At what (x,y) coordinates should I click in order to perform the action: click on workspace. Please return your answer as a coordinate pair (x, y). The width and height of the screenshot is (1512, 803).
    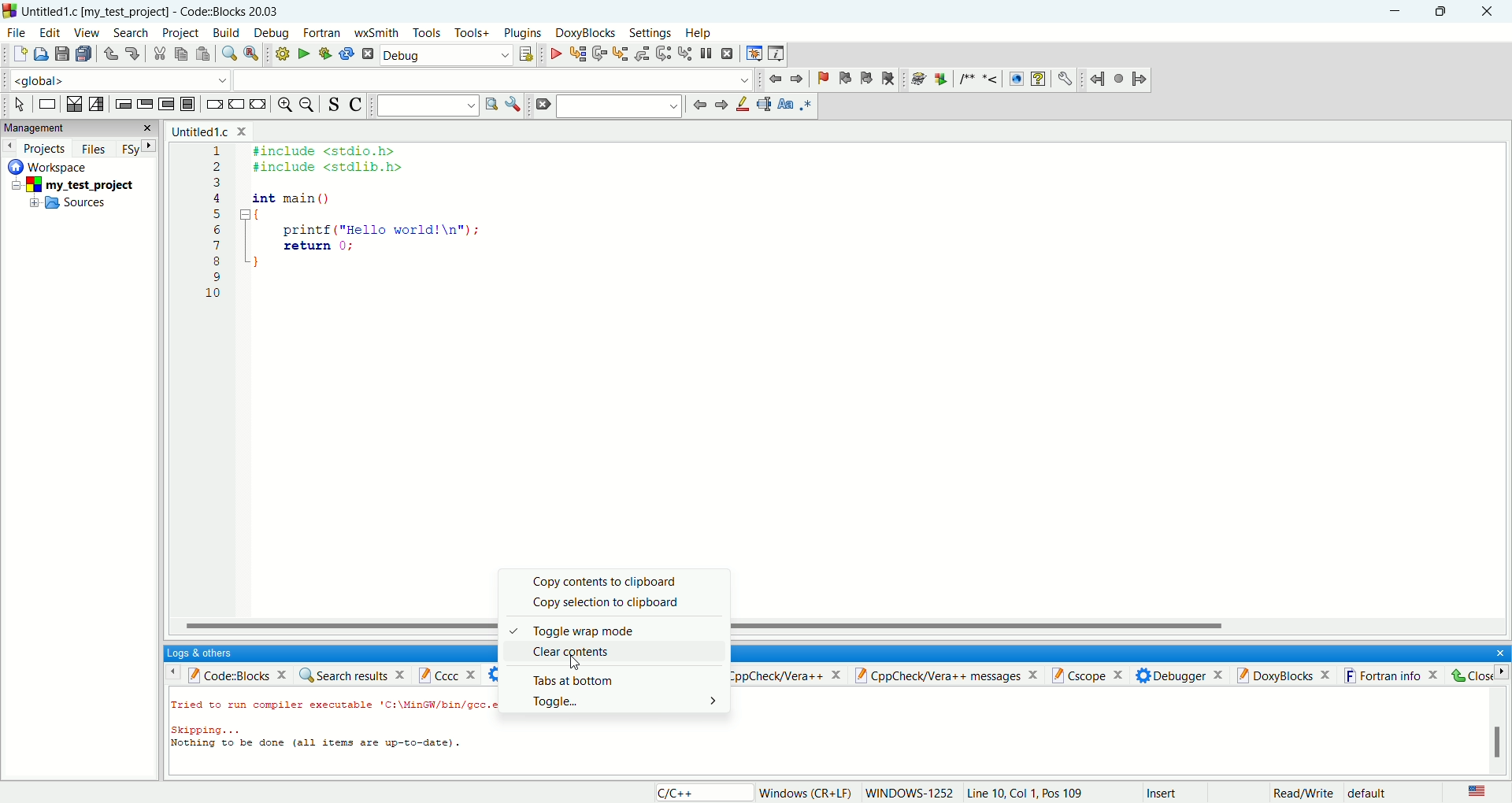
    Looking at the image, I should click on (54, 165).